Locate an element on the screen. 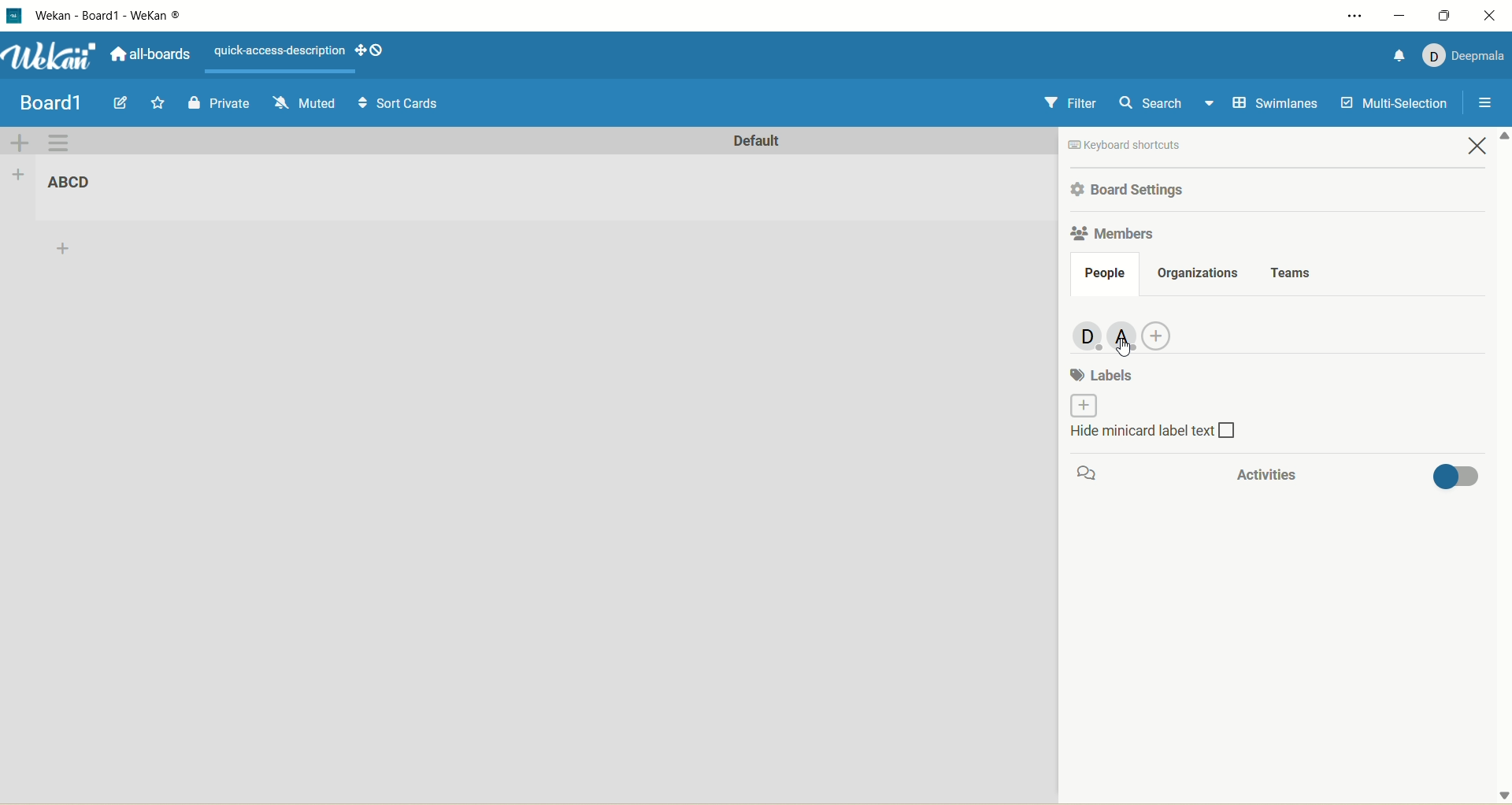  teams is located at coordinates (1293, 270).